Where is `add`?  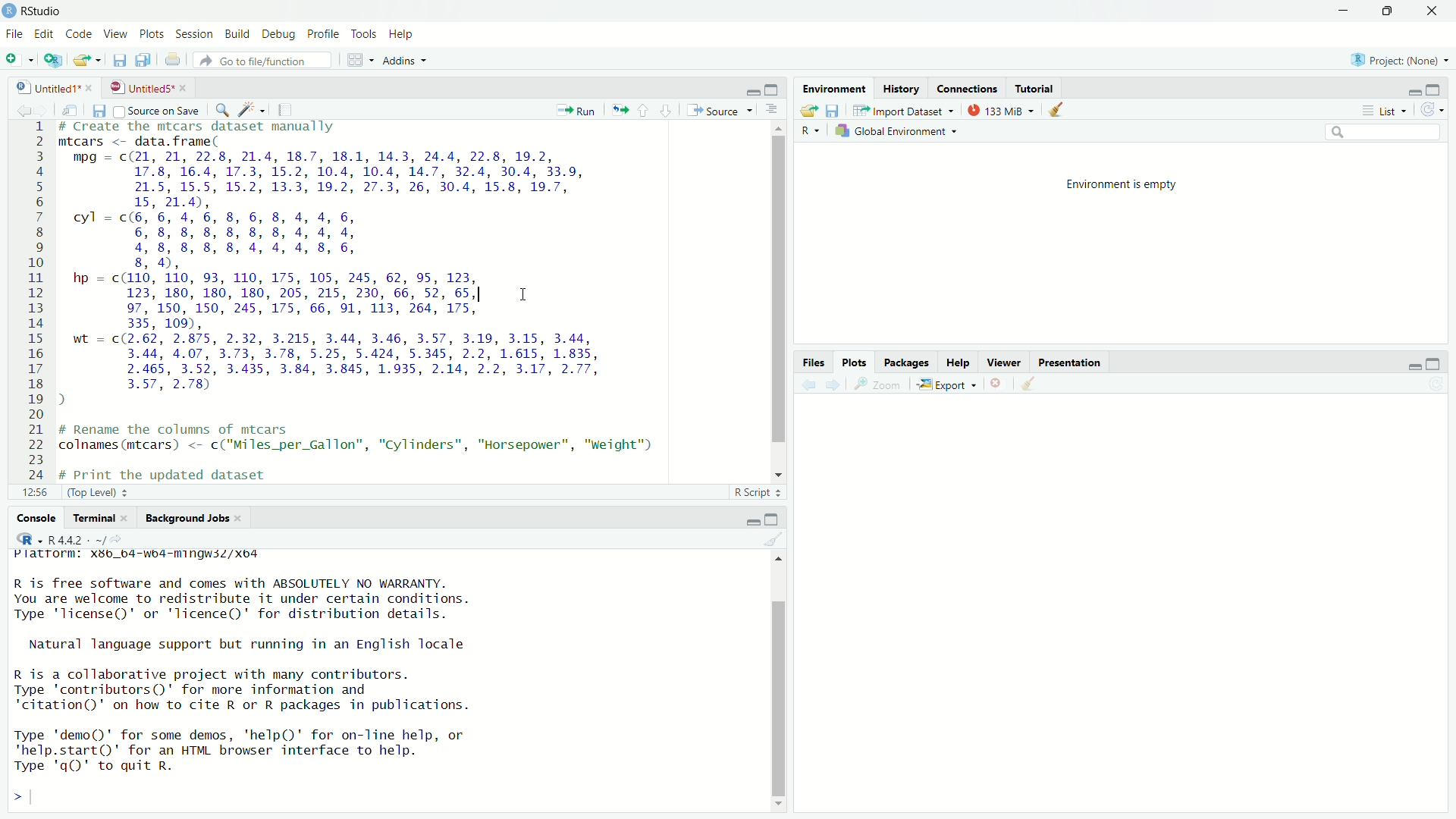
add is located at coordinates (19, 62).